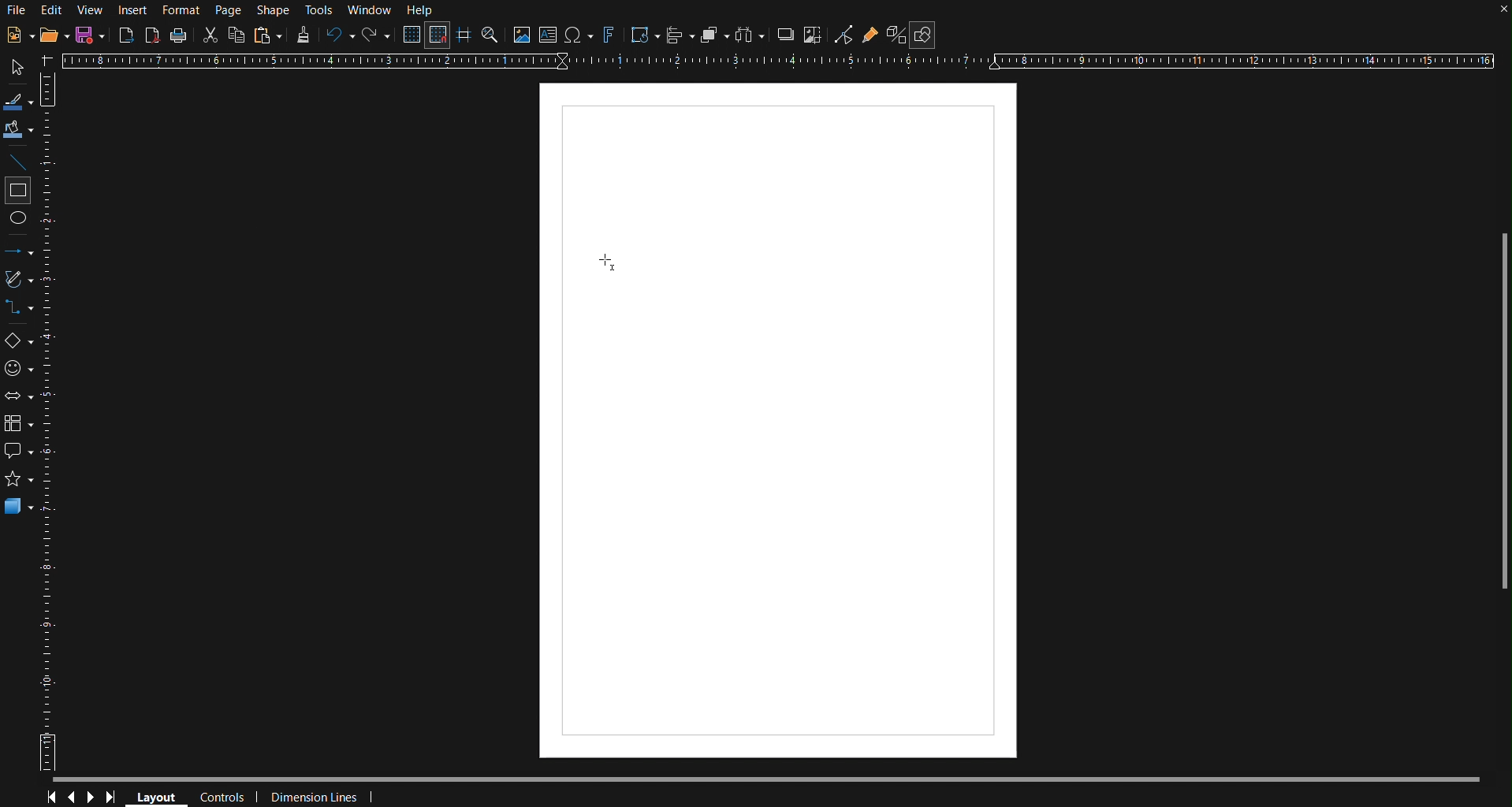 Image resolution: width=1512 pixels, height=807 pixels. I want to click on Format, so click(180, 11).